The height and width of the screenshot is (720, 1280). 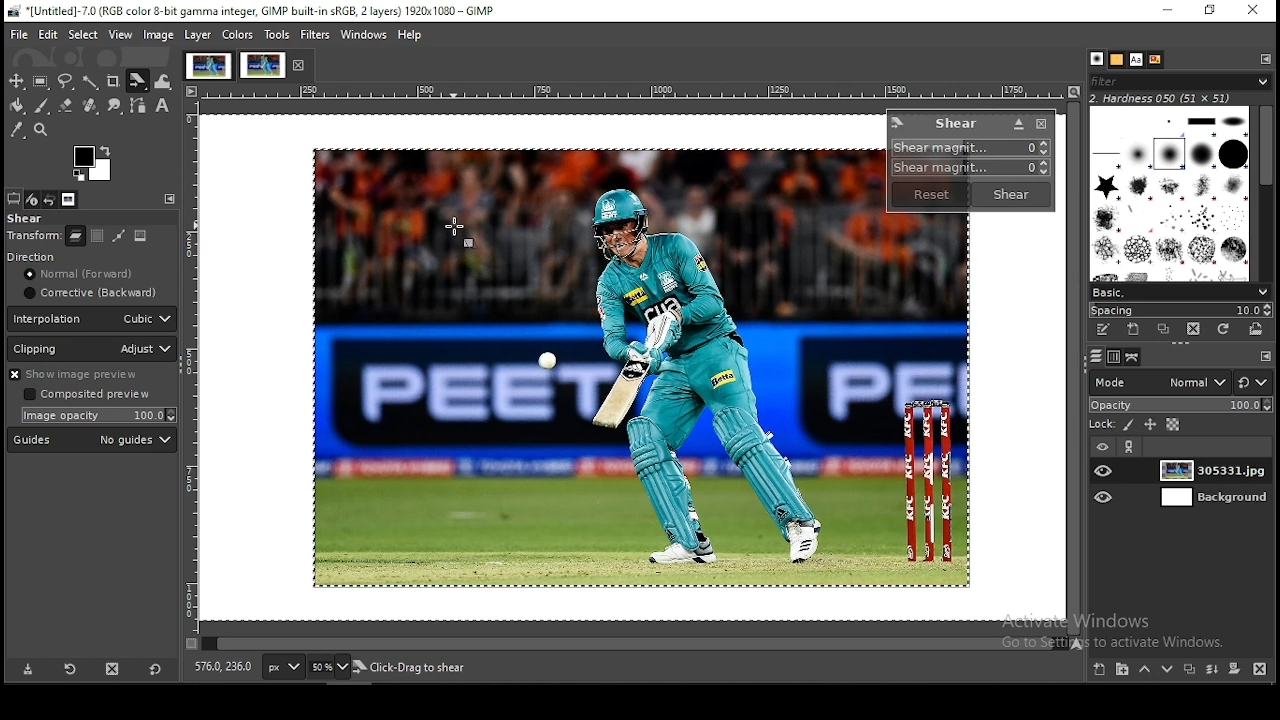 I want to click on select, so click(x=83, y=33).